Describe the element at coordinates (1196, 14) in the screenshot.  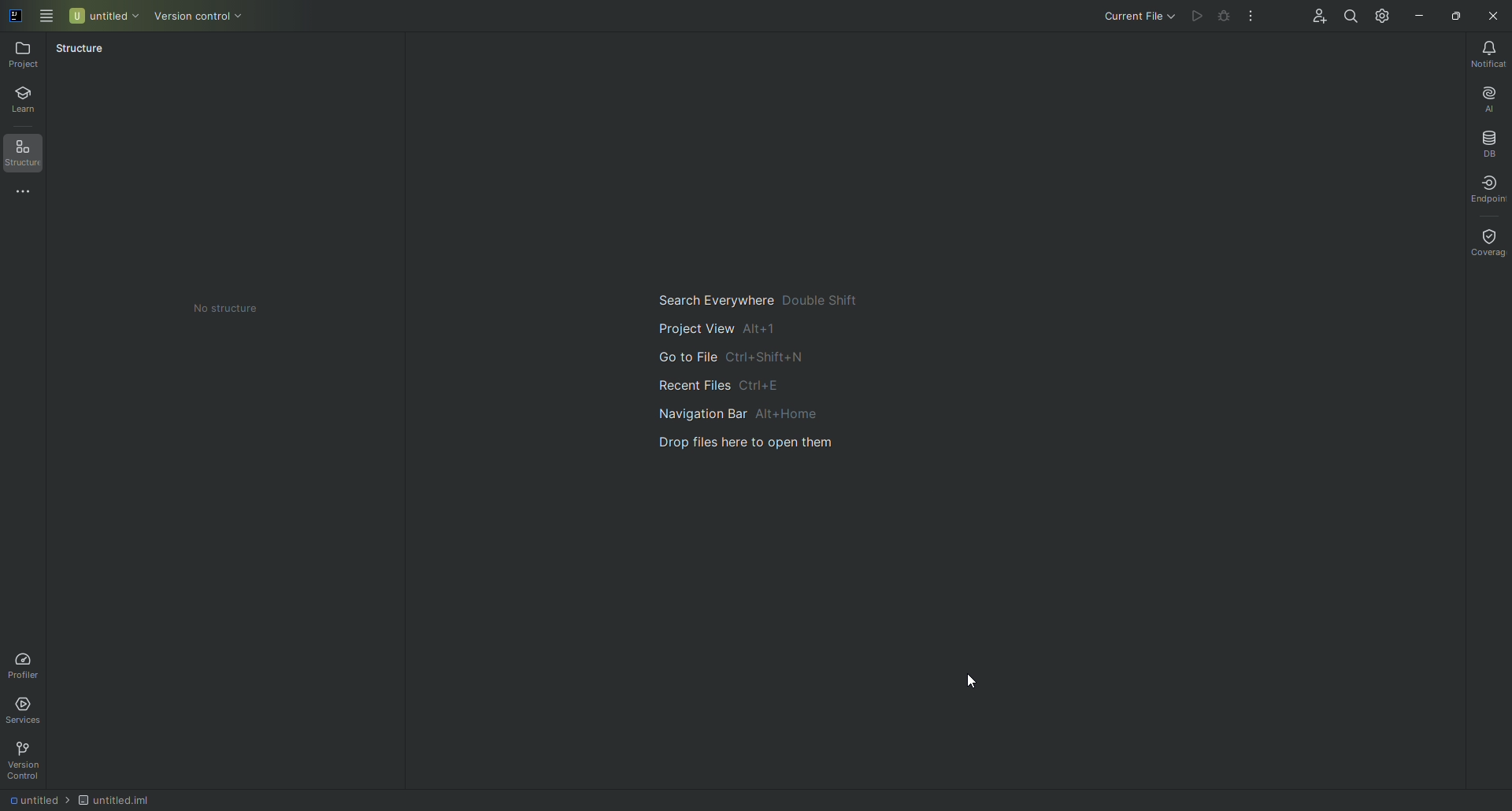
I see `Cannot run file` at that location.